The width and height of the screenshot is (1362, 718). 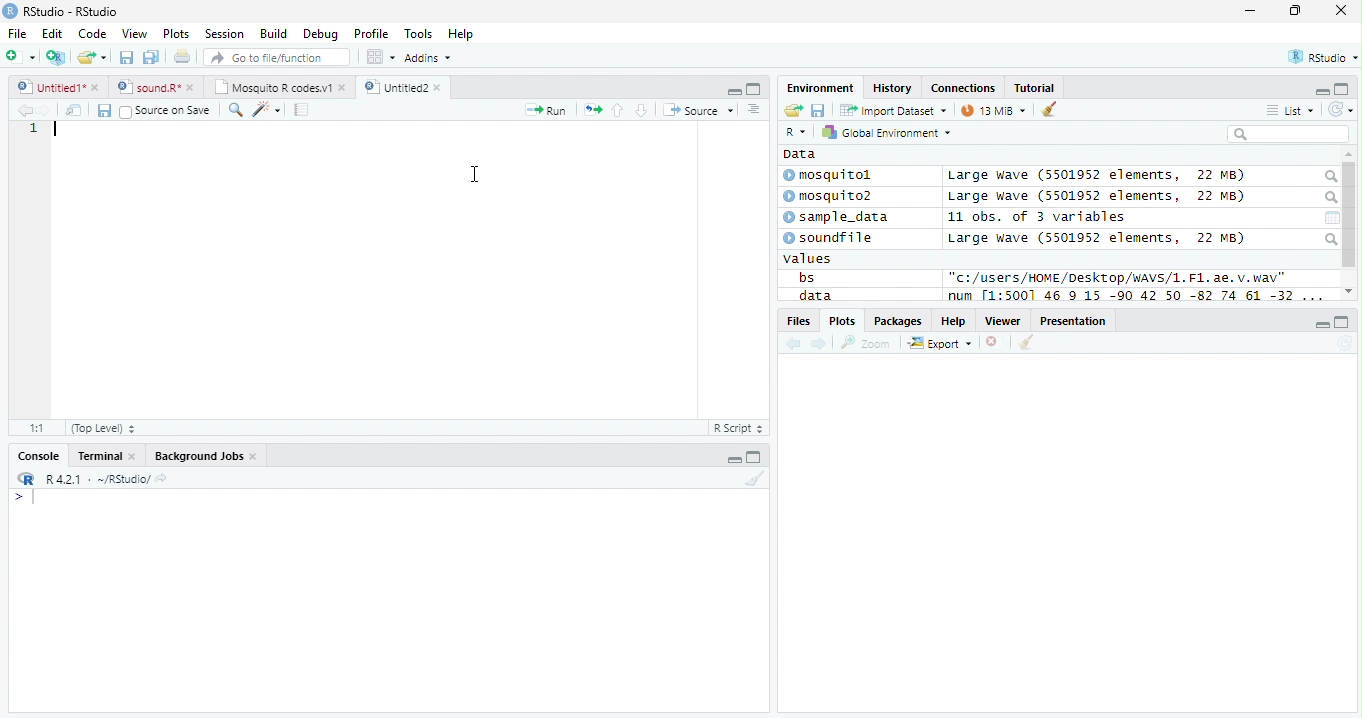 What do you see at coordinates (1329, 198) in the screenshot?
I see `search` at bounding box center [1329, 198].